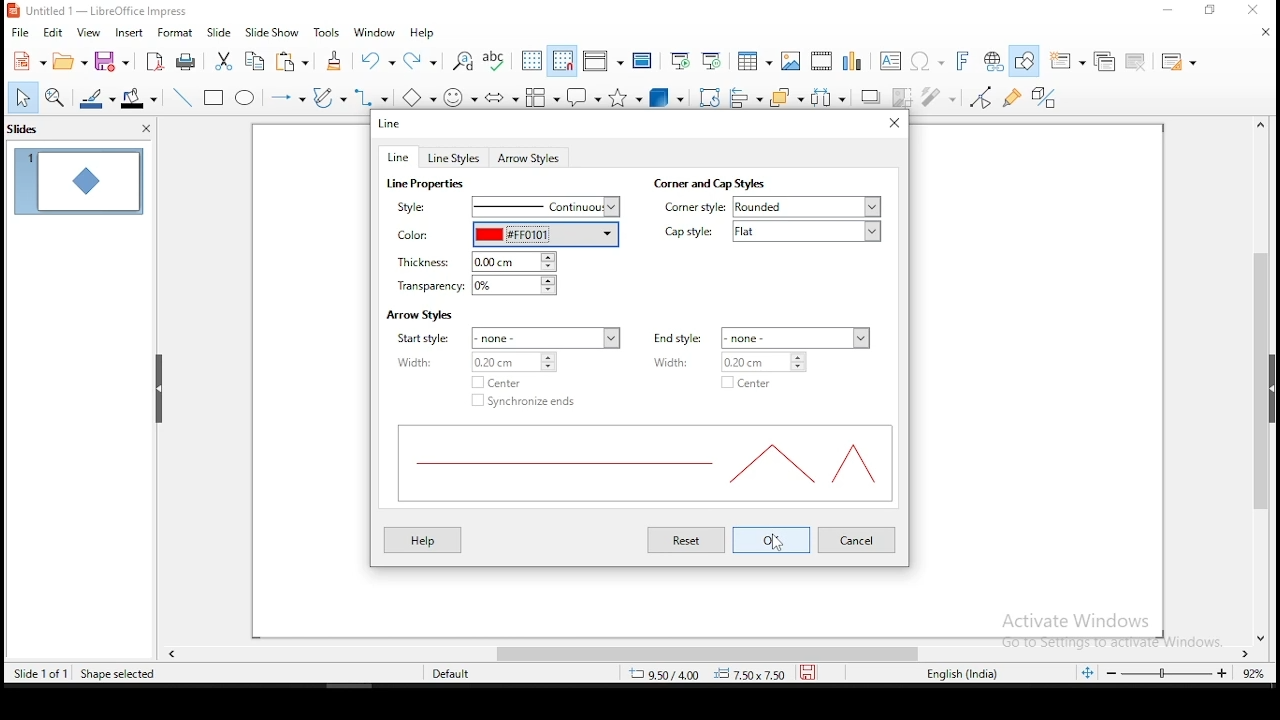  I want to click on Minimize sidebar, so click(158, 389).